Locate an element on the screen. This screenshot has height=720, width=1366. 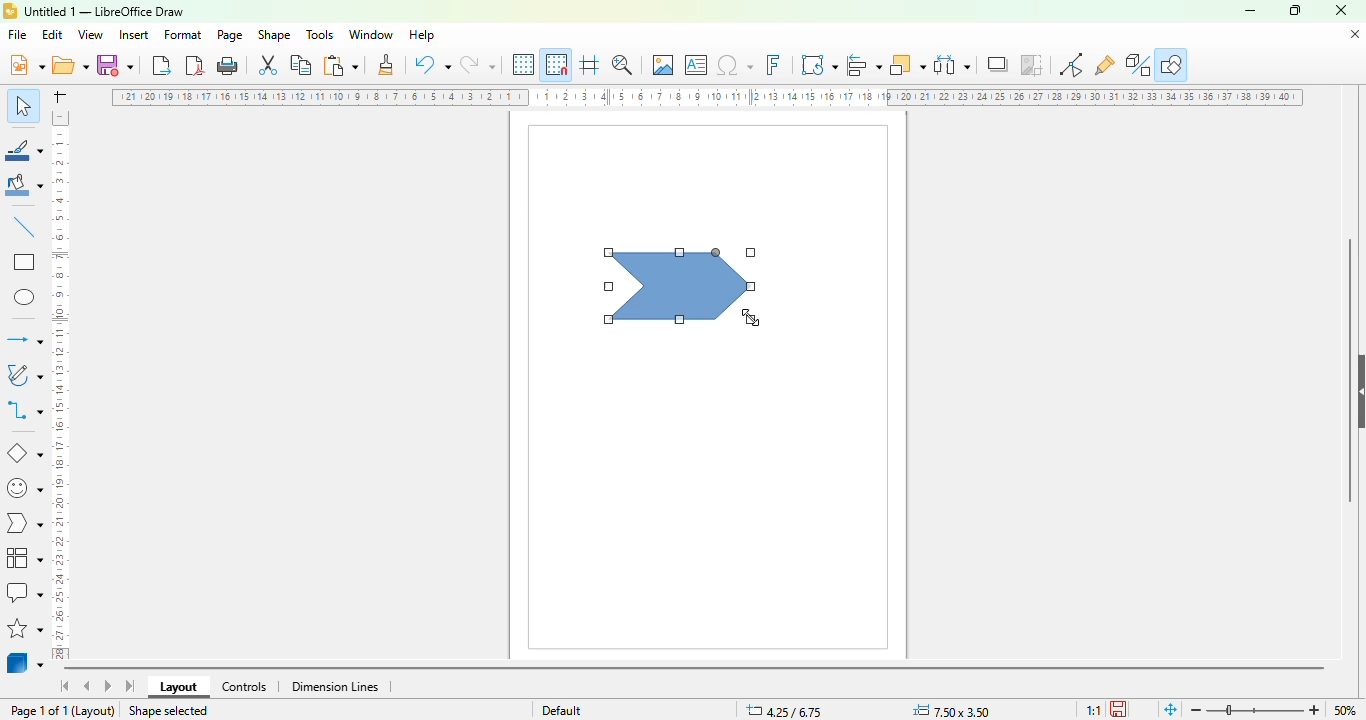
curves and polygons is located at coordinates (23, 375).